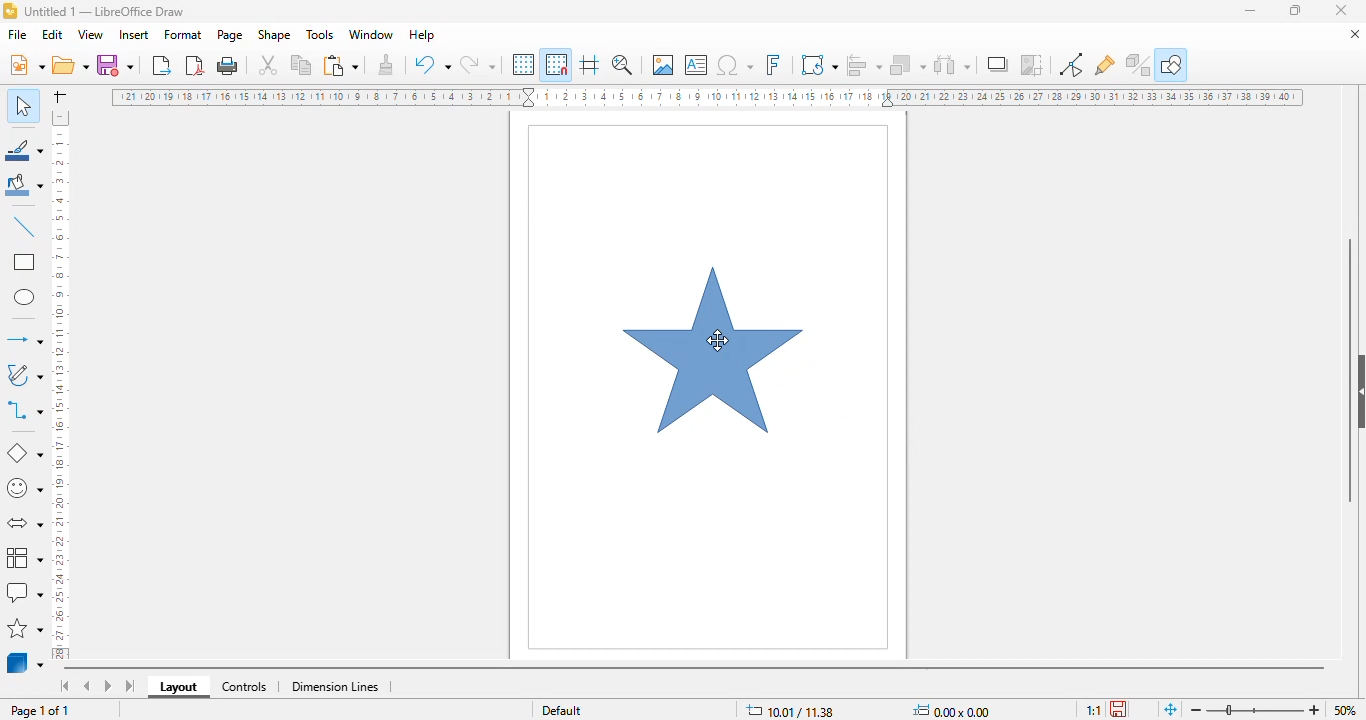 The width and height of the screenshot is (1366, 720). What do you see at coordinates (24, 340) in the screenshot?
I see `lines and arrows` at bounding box center [24, 340].